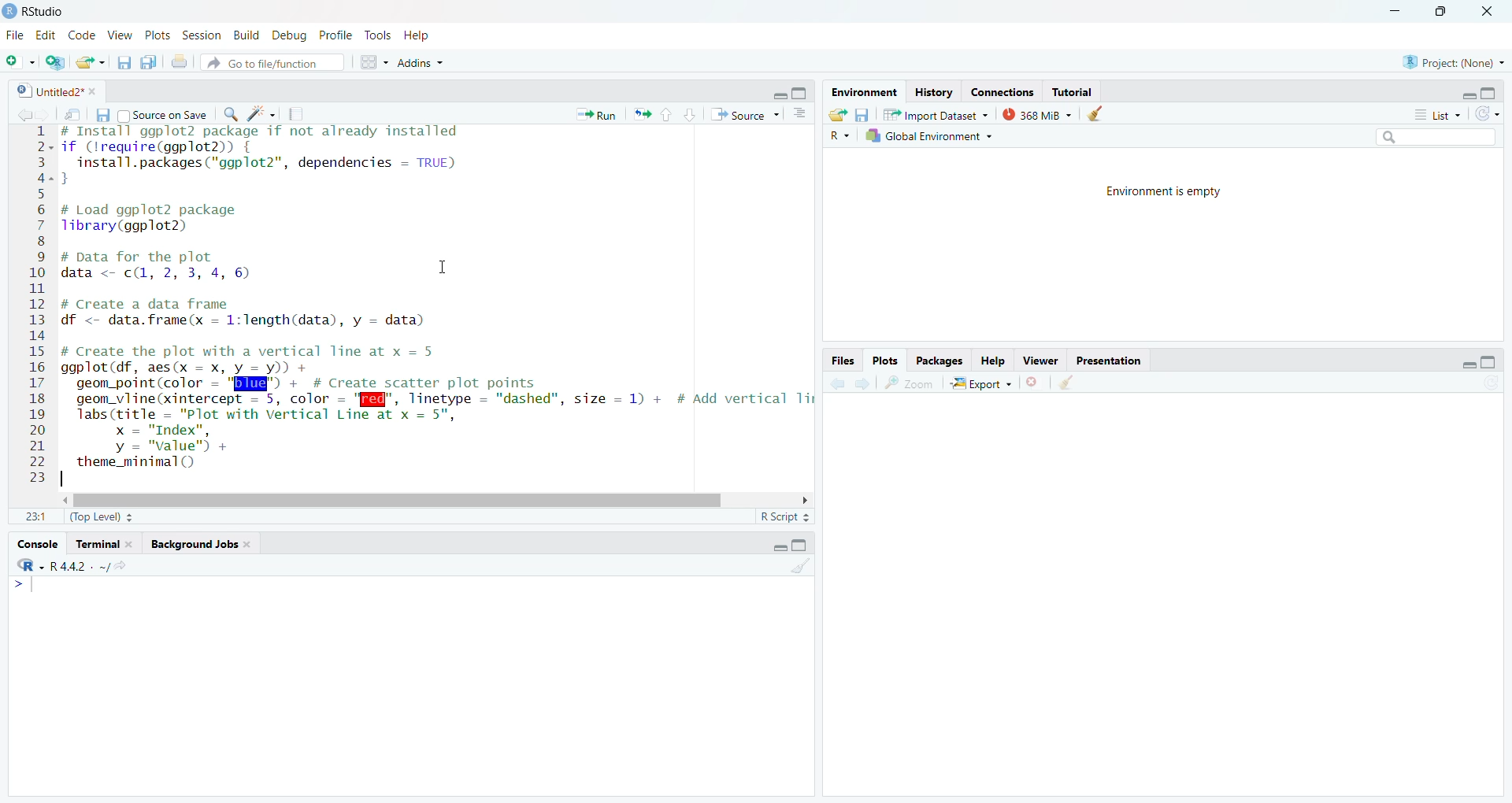 The width and height of the screenshot is (1512, 803). What do you see at coordinates (1067, 383) in the screenshot?
I see `clear` at bounding box center [1067, 383].